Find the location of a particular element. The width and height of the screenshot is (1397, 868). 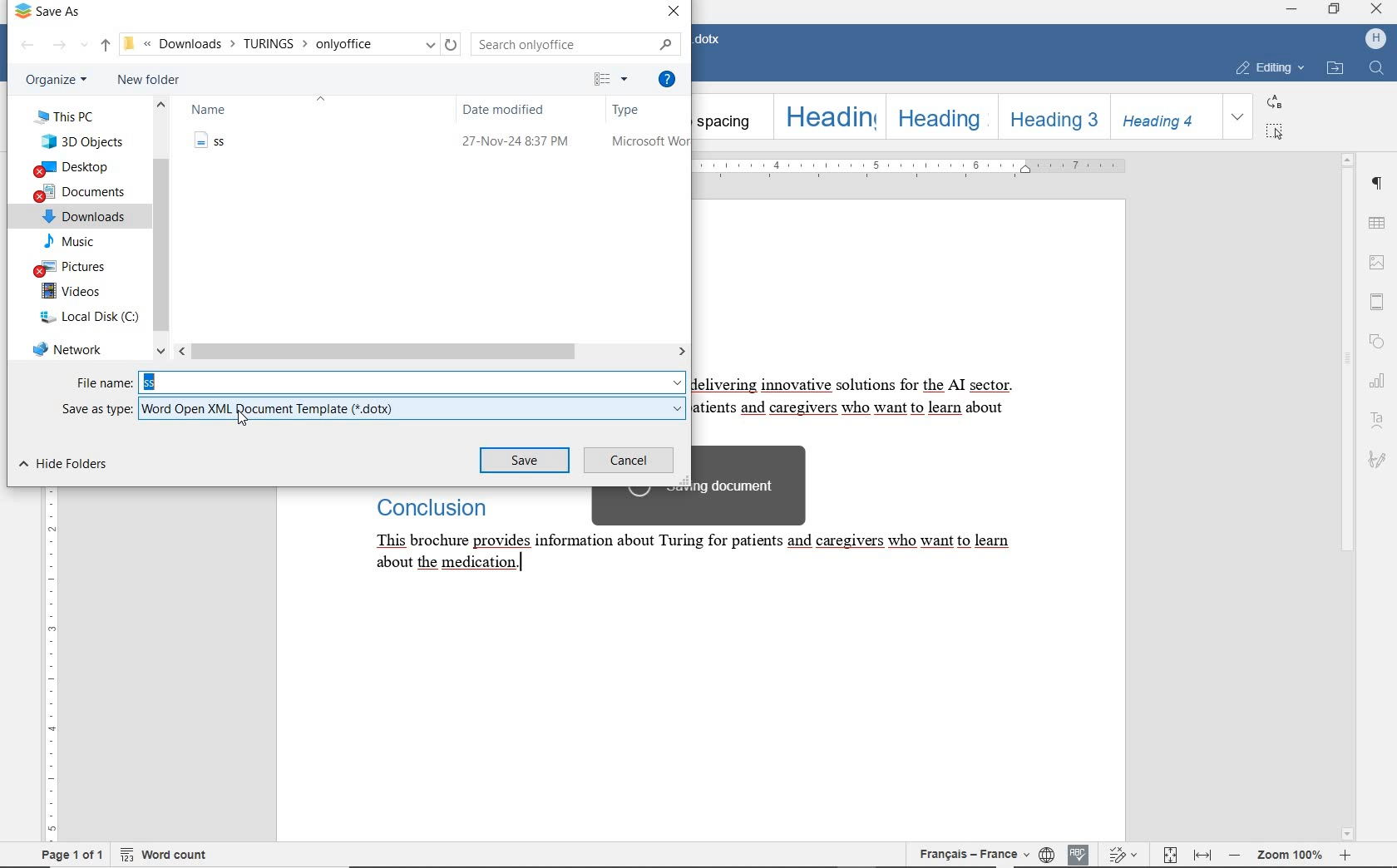

NO SPACING is located at coordinates (731, 116).